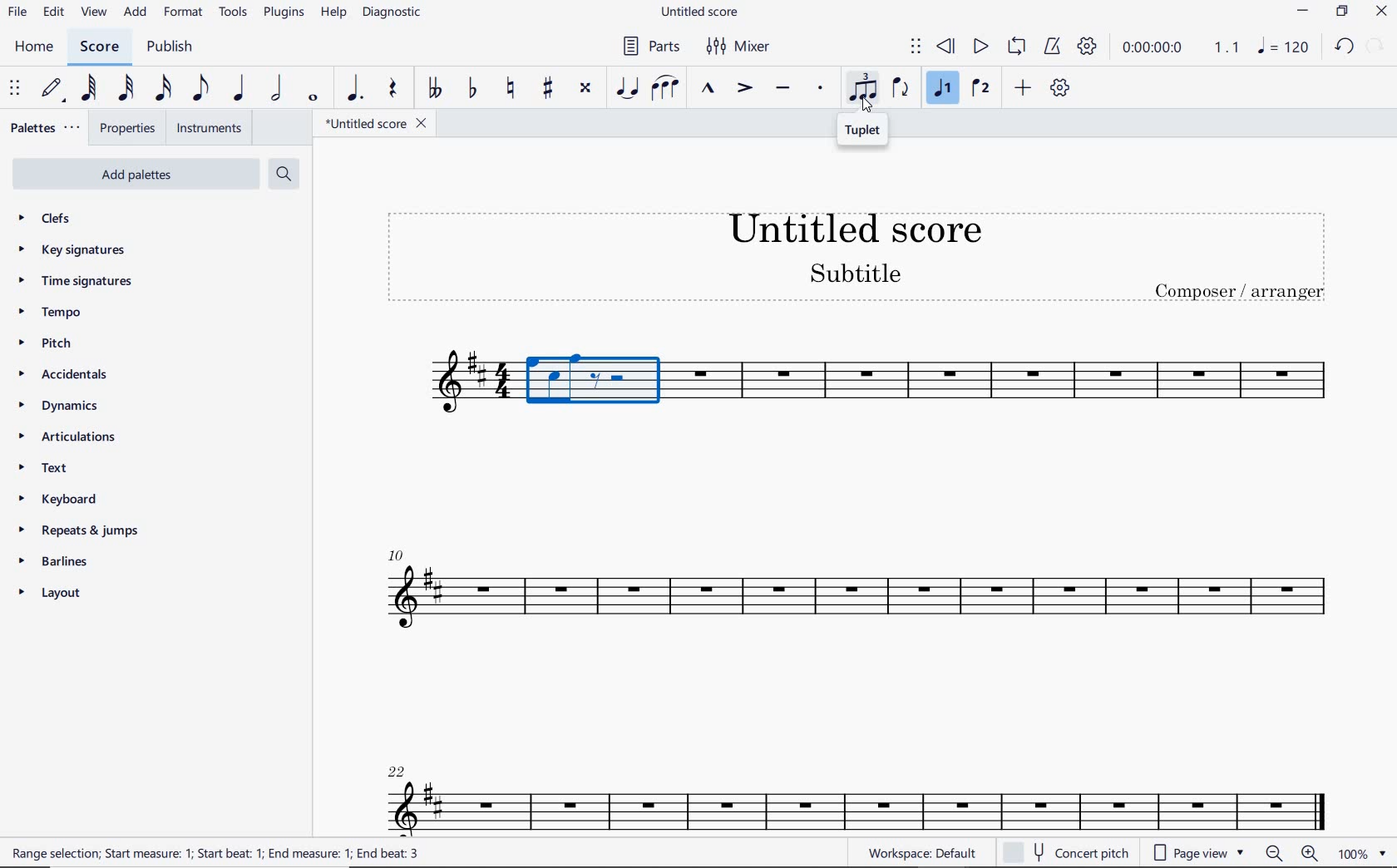 The height and width of the screenshot is (868, 1397). What do you see at coordinates (916, 49) in the screenshot?
I see `SELECT TO MOVE` at bounding box center [916, 49].